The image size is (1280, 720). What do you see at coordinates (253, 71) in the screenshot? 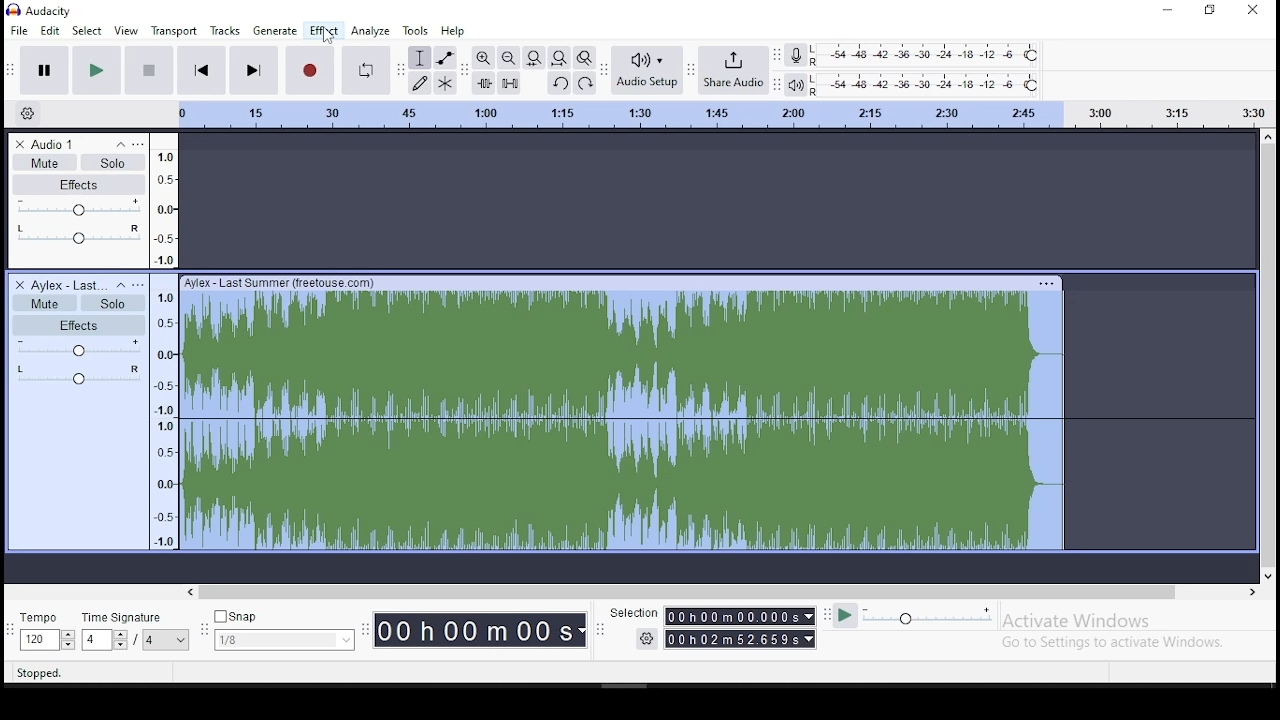
I see `skip to end` at bounding box center [253, 71].